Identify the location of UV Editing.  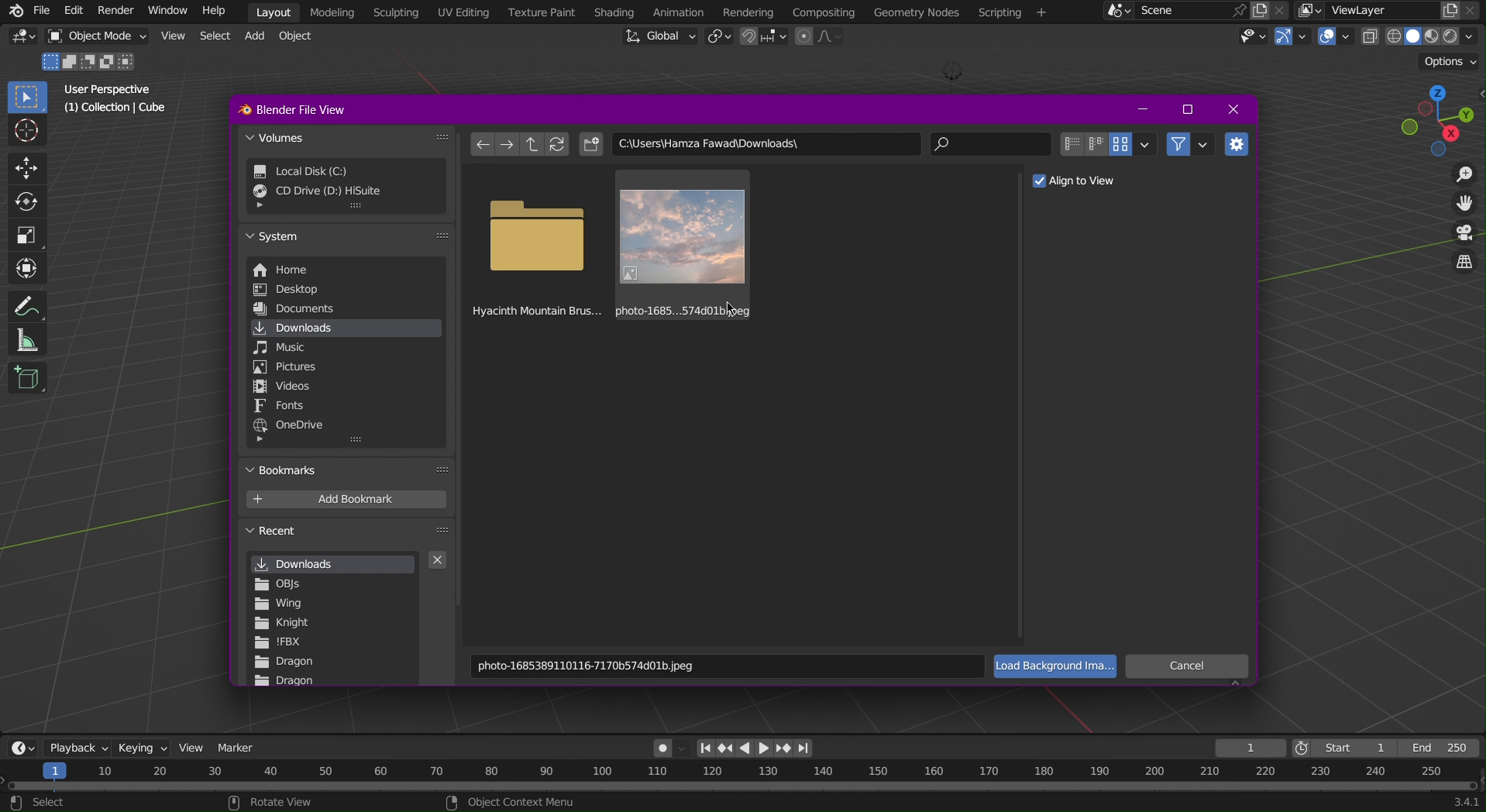
(464, 12).